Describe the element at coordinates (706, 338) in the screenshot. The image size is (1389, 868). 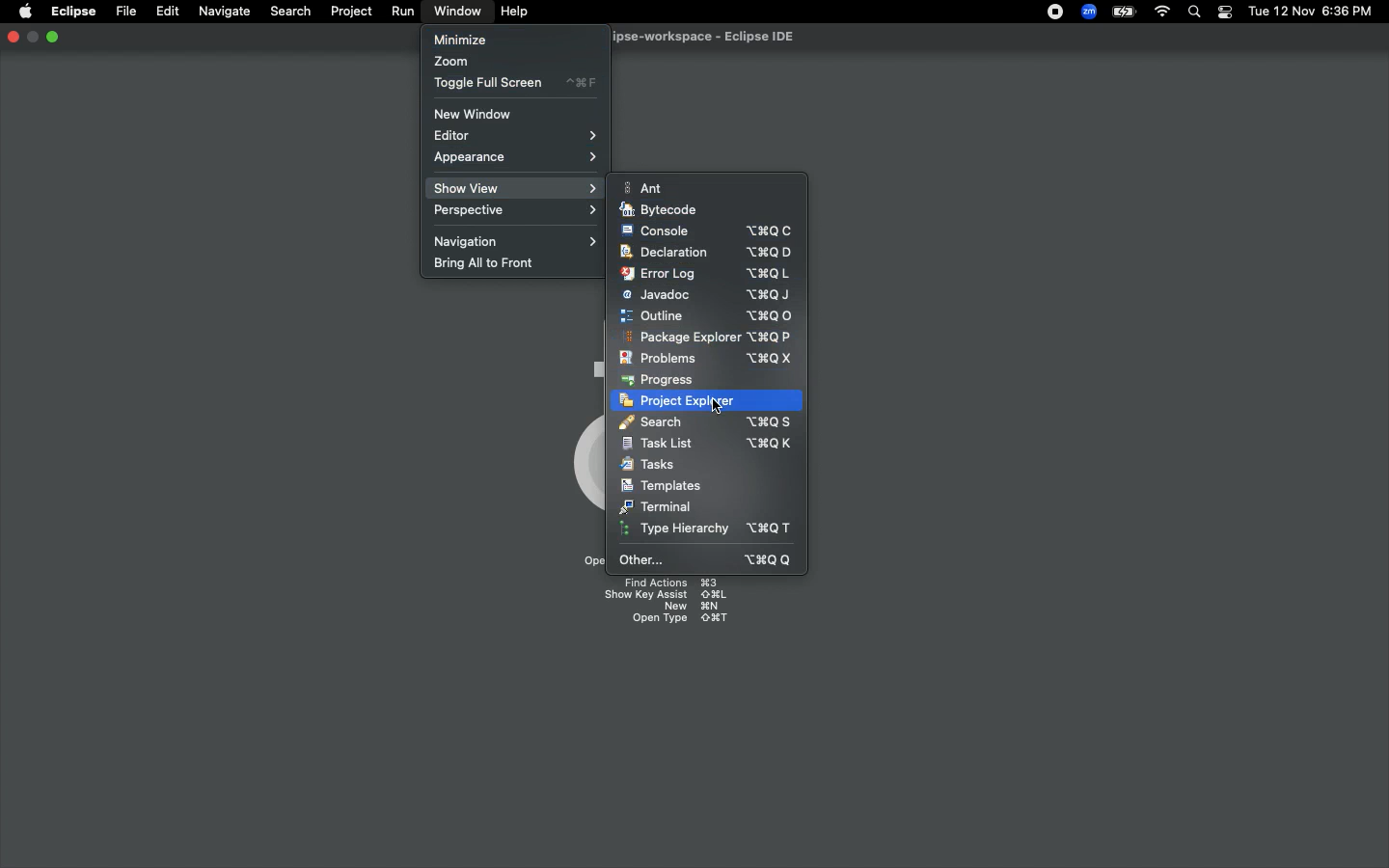
I see `Package explorer` at that location.